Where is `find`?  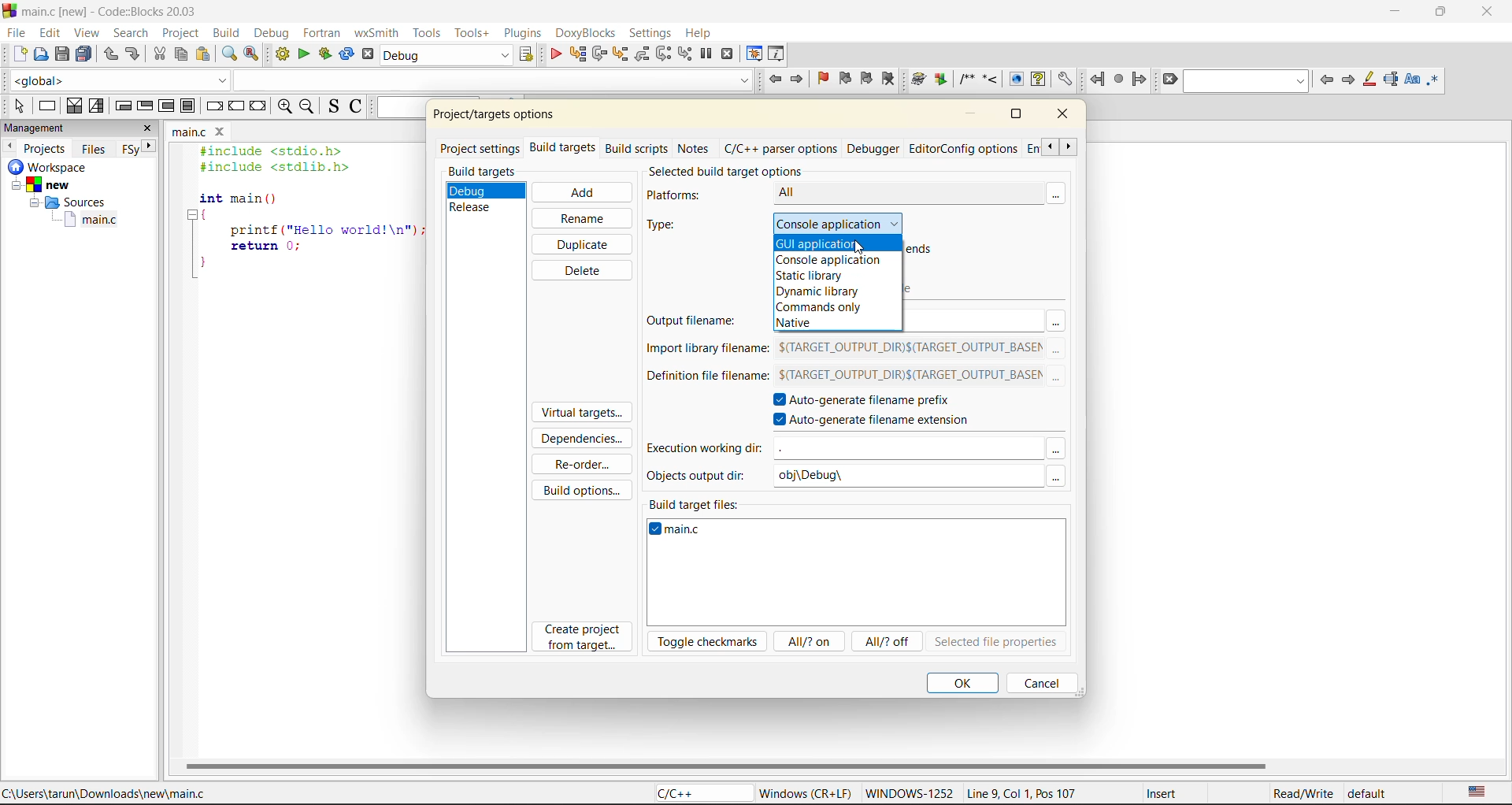
find is located at coordinates (228, 53).